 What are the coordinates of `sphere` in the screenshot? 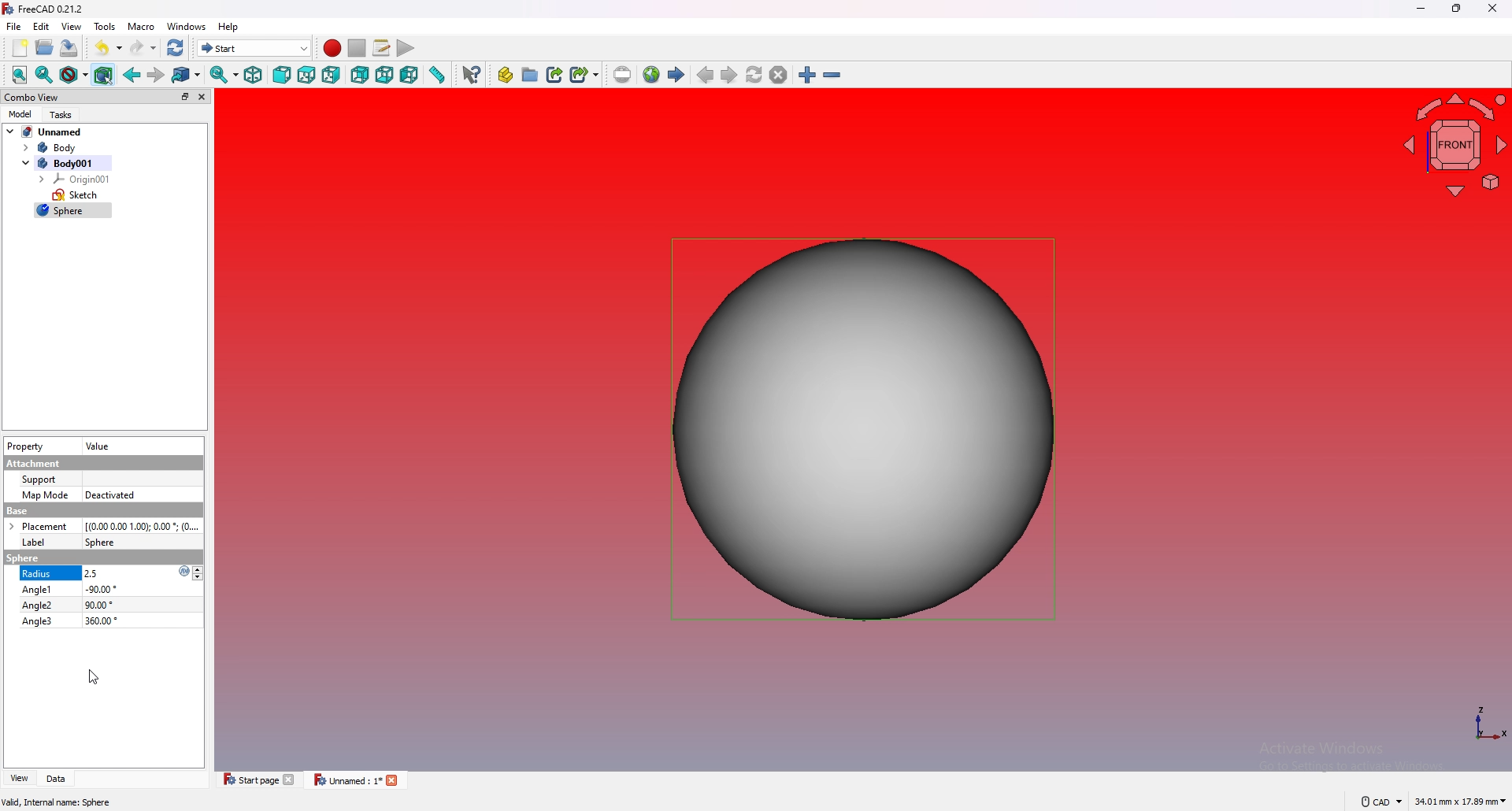 It's located at (20, 558).